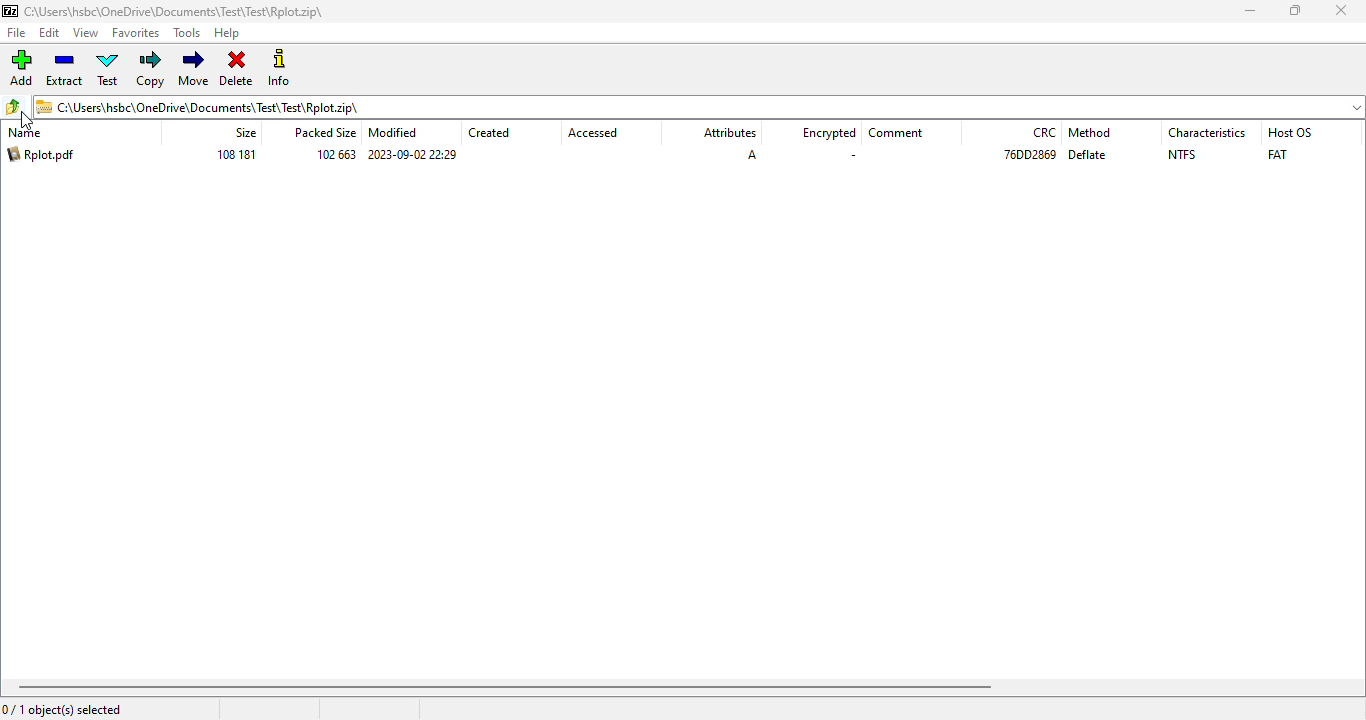 This screenshot has height=720, width=1366. Describe the element at coordinates (244, 132) in the screenshot. I see `size` at that location.